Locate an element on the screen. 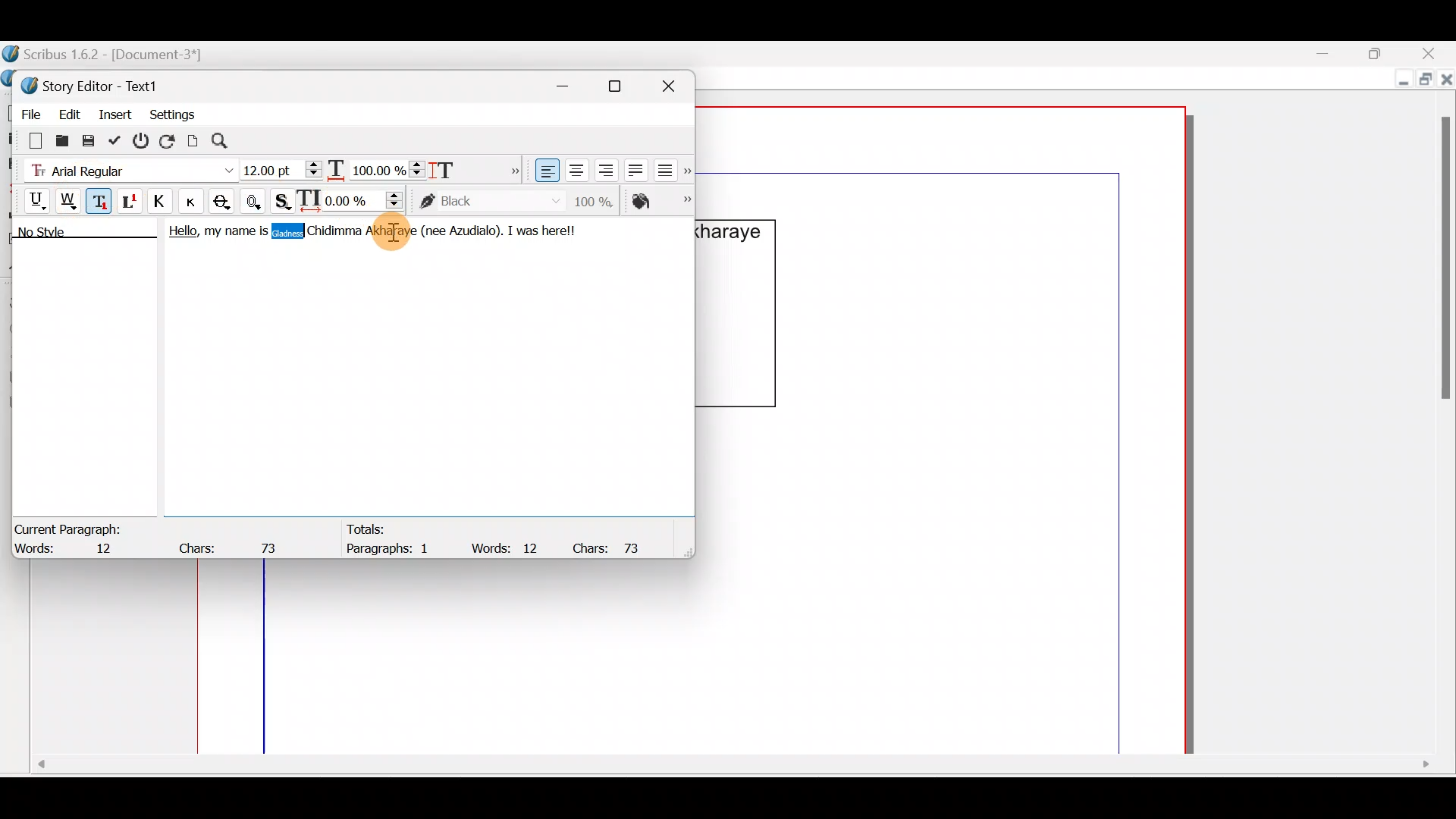 The width and height of the screenshot is (1456, 819). Manual tracking is located at coordinates (354, 199).